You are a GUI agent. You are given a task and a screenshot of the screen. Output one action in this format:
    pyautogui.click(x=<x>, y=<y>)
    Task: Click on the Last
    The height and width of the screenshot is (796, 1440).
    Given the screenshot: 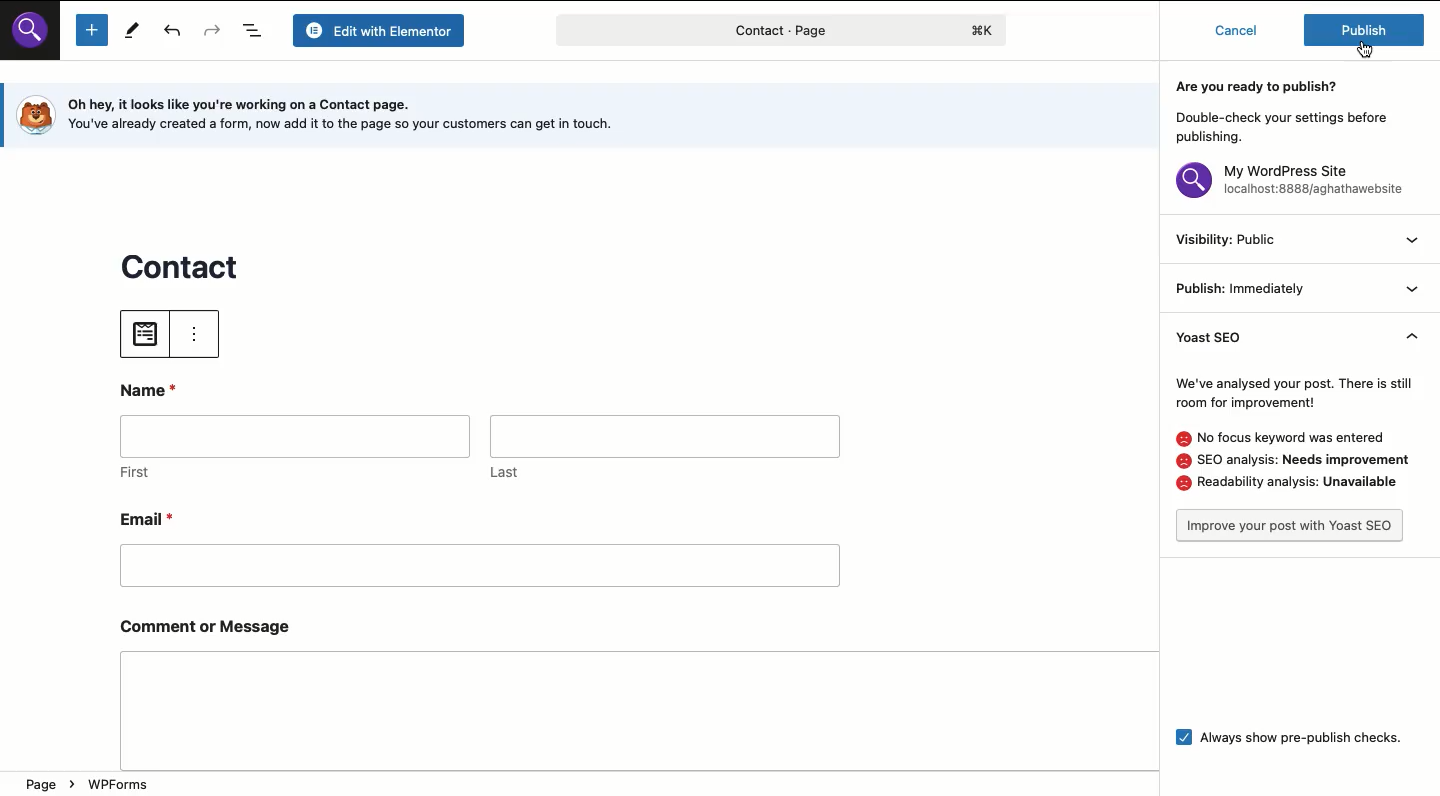 What is the action you would take?
    pyautogui.click(x=664, y=446)
    